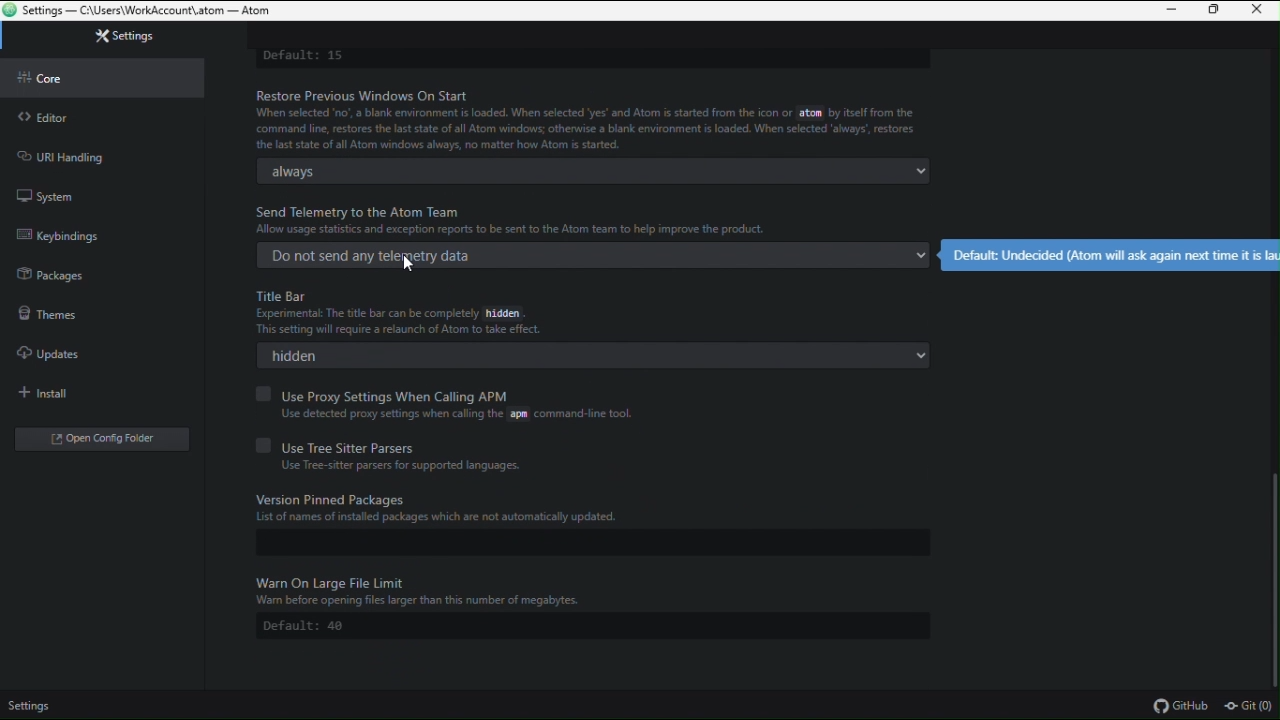 This screenshot has height=720, width=1280. I want to click on Scroll bar, so click(1272, 565).